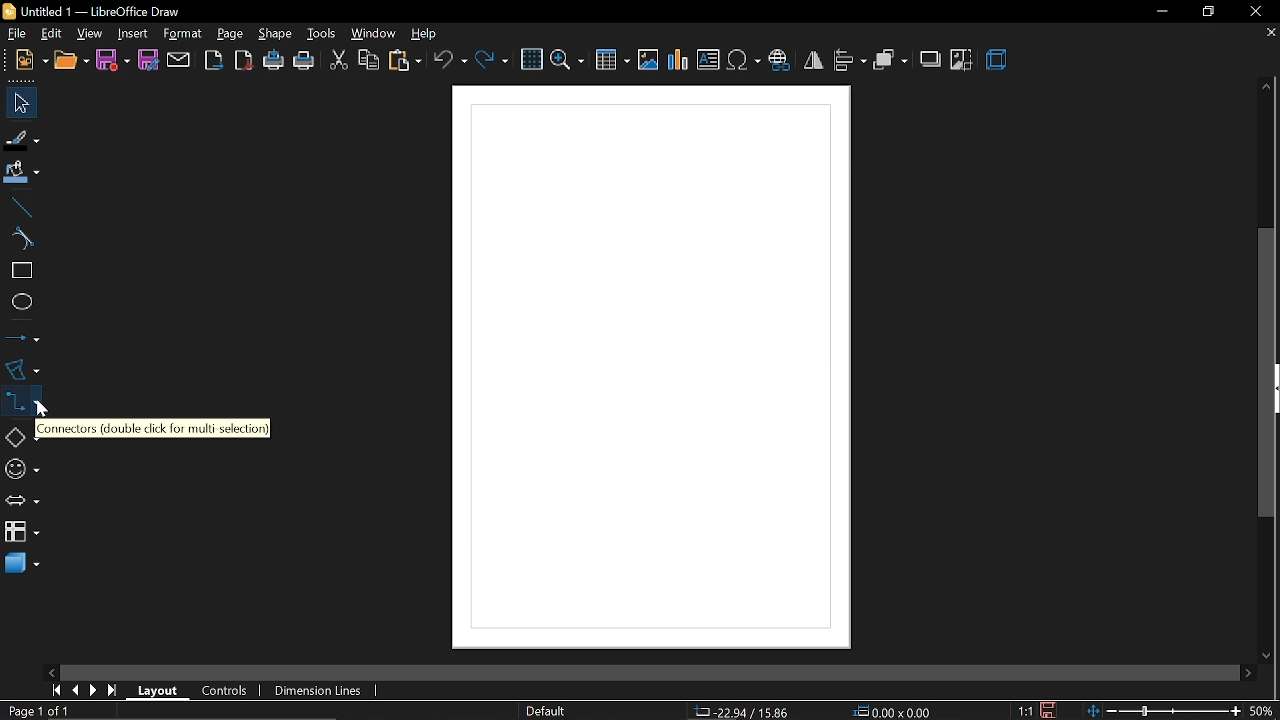  What do you see at coordinates (890, 60) in the screenshot?
I see `arrange` at bounding box center [890, 60].